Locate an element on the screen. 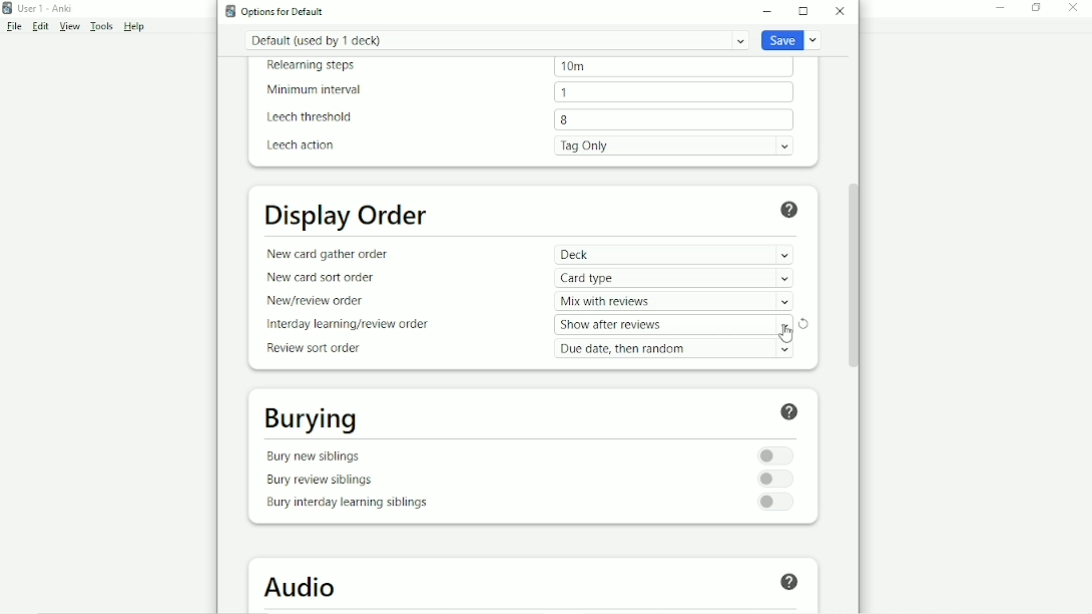 The image size is (1092, 614). Mix with reviews is located at coordinates (674, 301).